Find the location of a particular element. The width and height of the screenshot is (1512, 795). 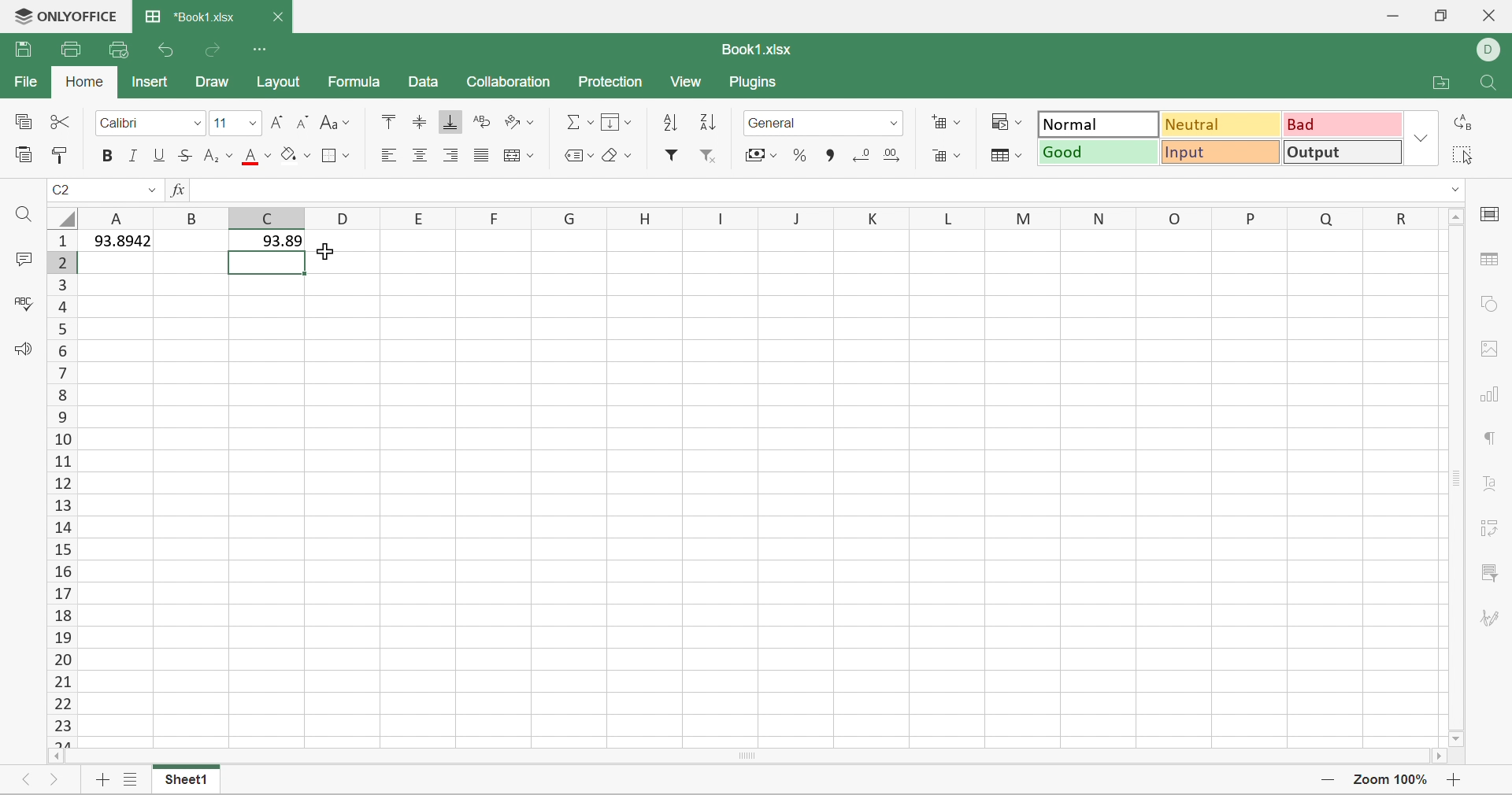

Scroll Right is located at coordinates (1434, 758).